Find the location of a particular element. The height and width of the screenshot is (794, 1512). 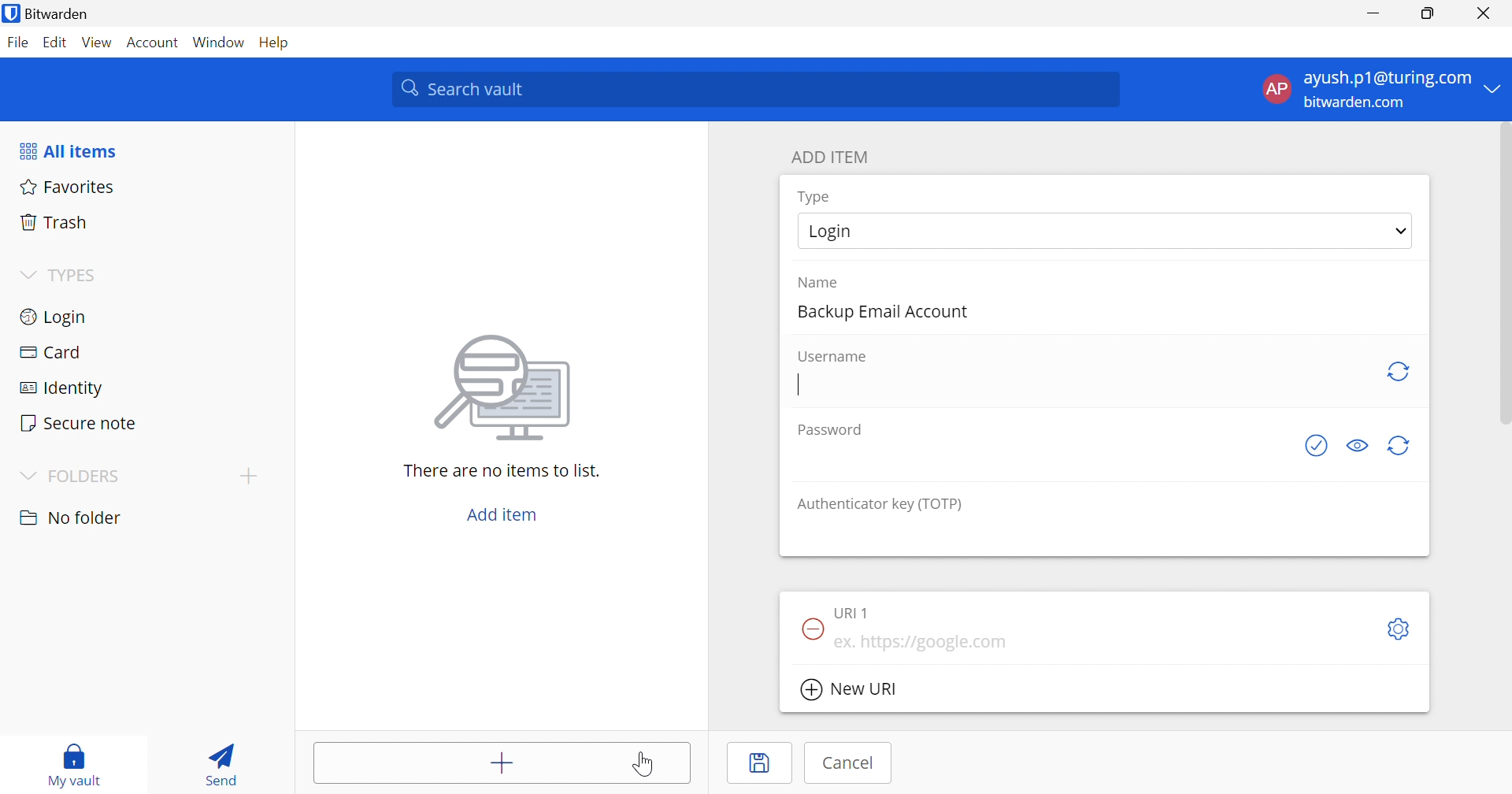

Login is located at coordinates (829, 232).